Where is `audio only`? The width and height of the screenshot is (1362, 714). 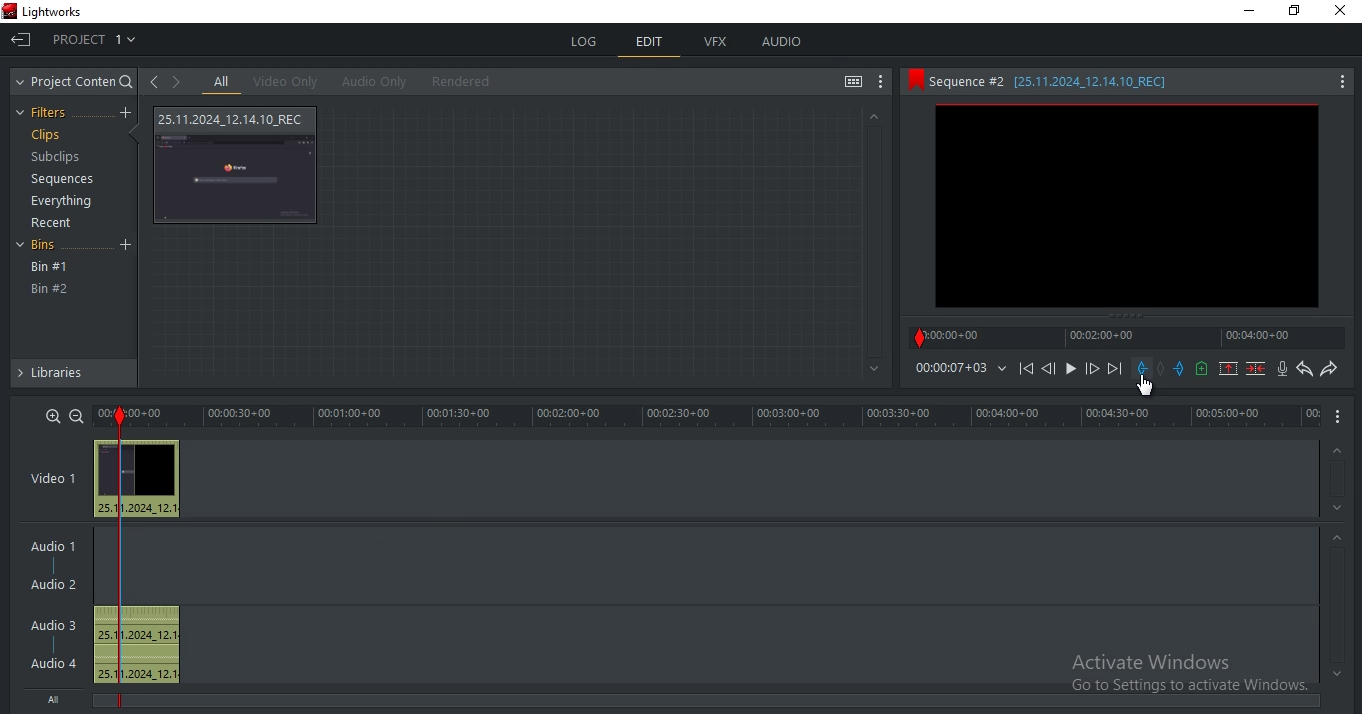
audio only is located at coordinates (371, 82).